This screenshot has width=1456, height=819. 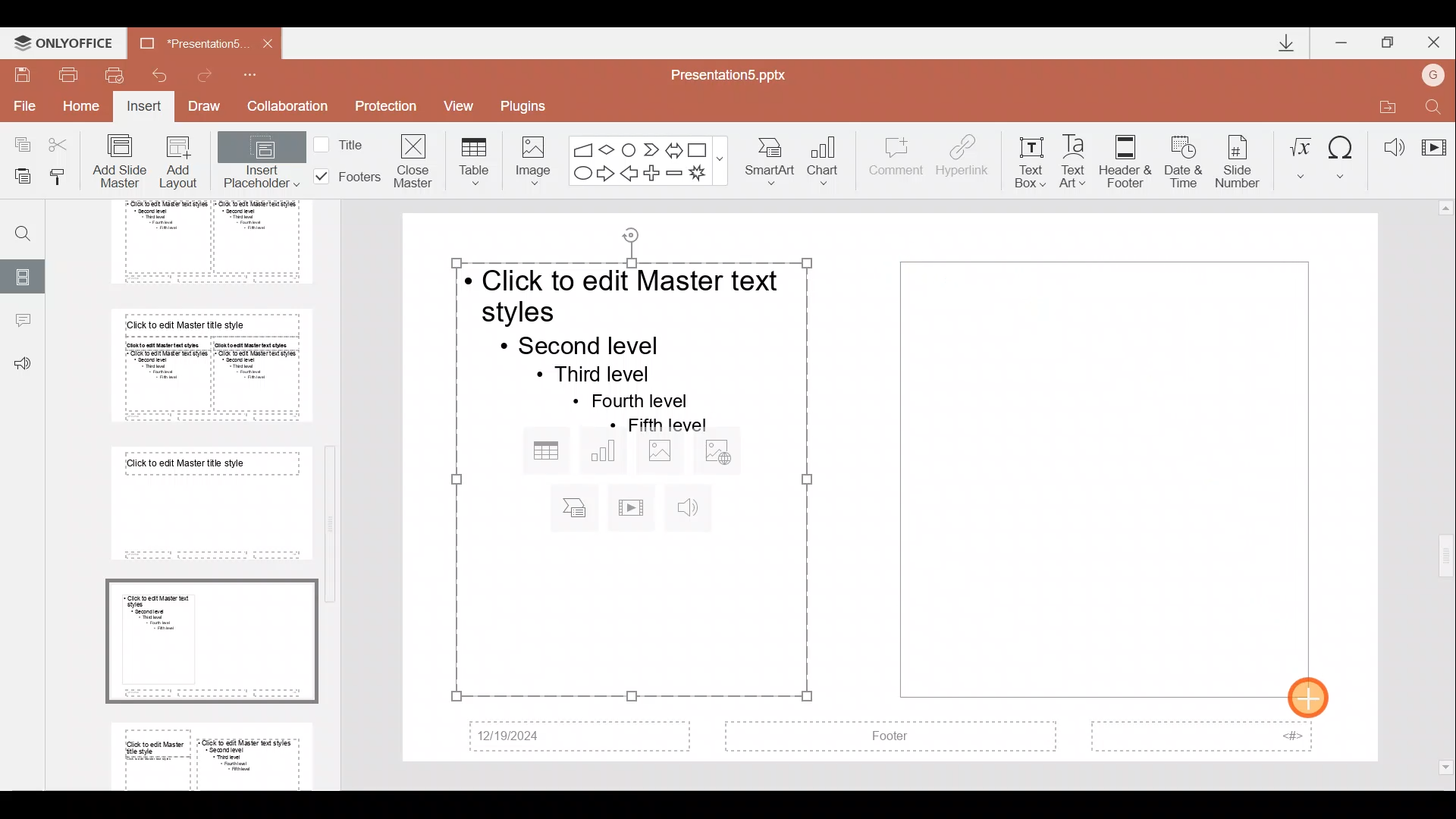 I want to click on Symbol, so click(x=1343, y=155).